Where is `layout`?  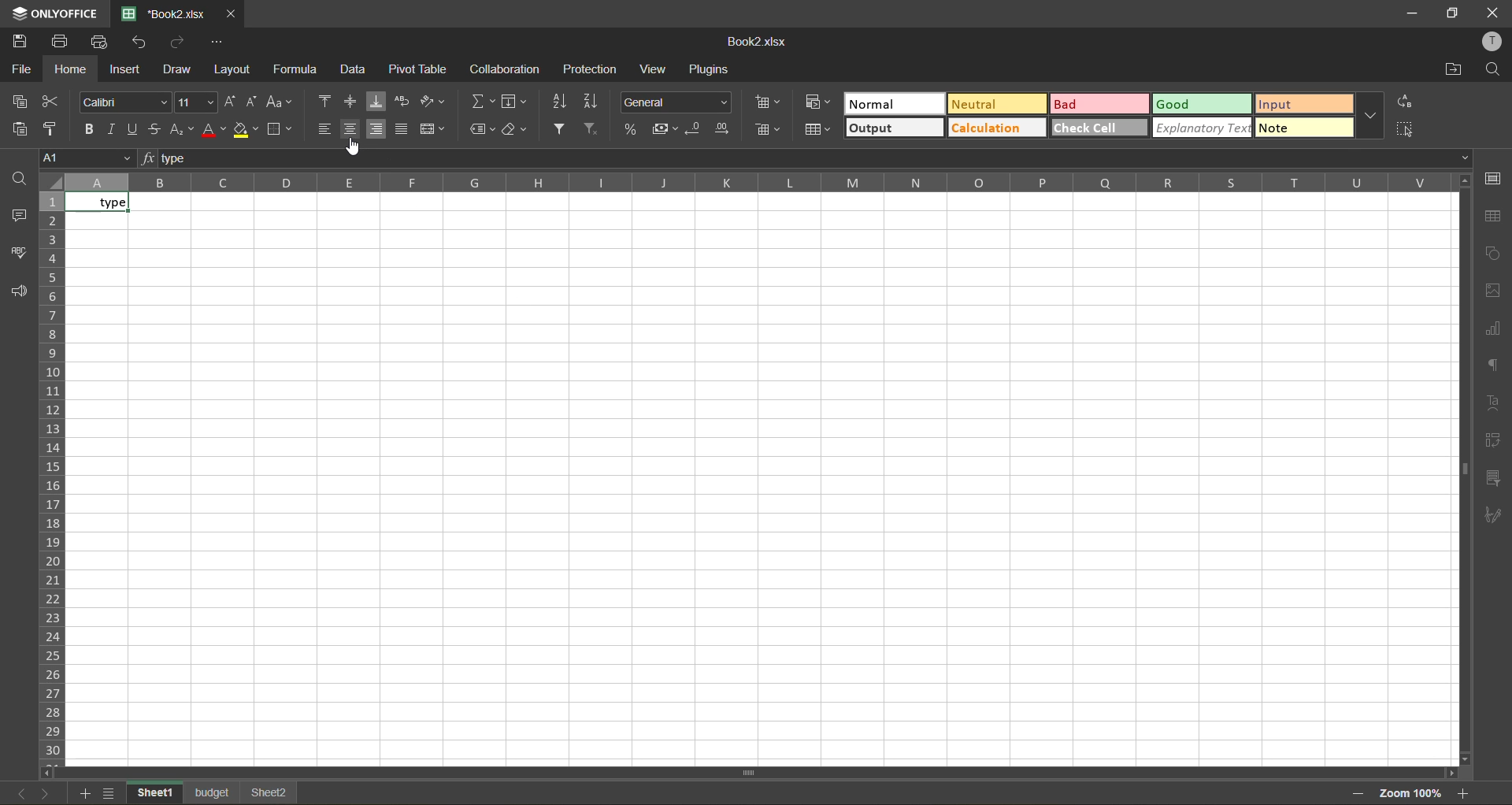
layout is located at coordinates (235, 71).